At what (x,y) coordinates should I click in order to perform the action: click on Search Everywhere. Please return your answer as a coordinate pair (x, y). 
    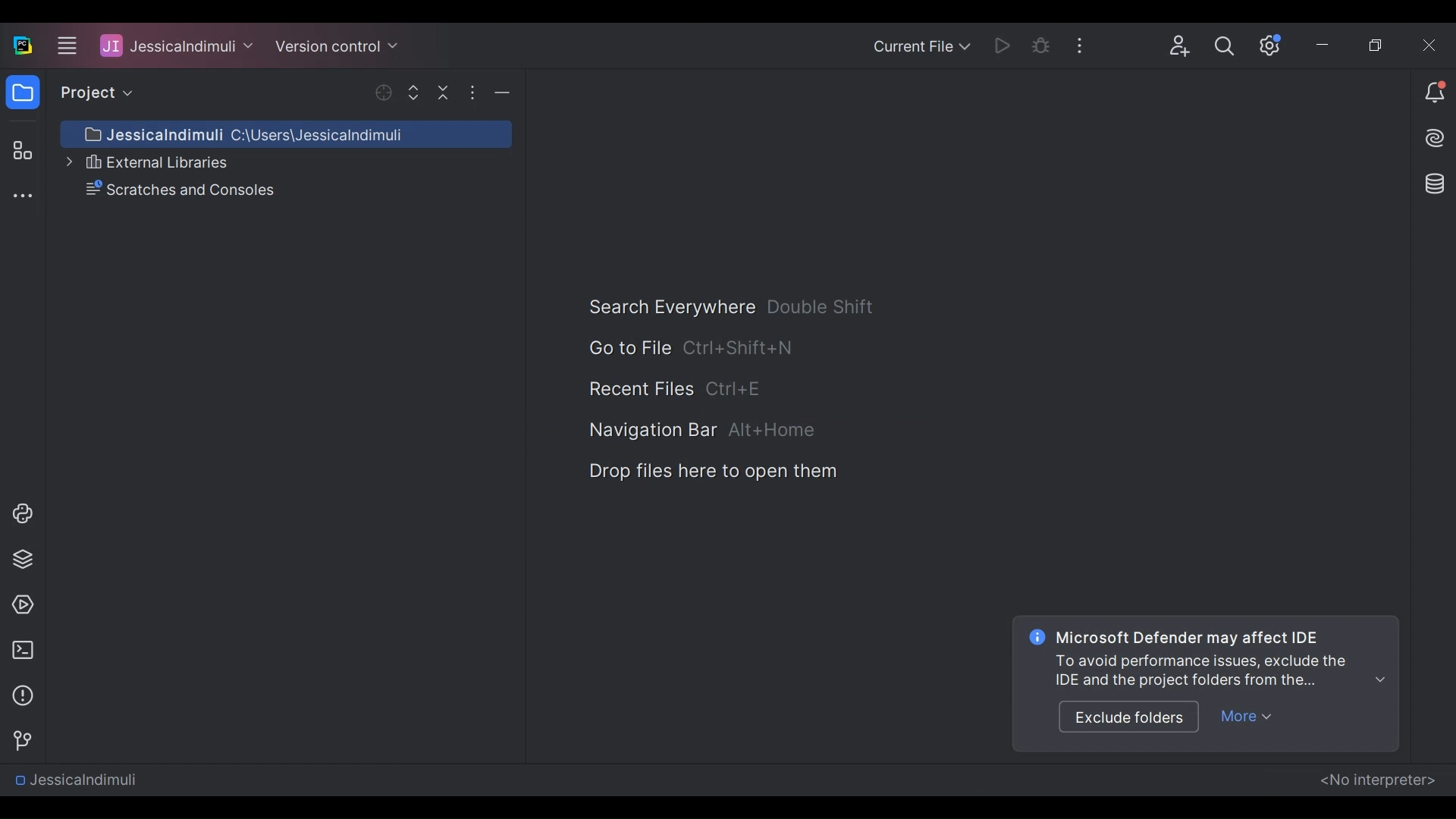
    Looking at the image, I should click on (743, 305).